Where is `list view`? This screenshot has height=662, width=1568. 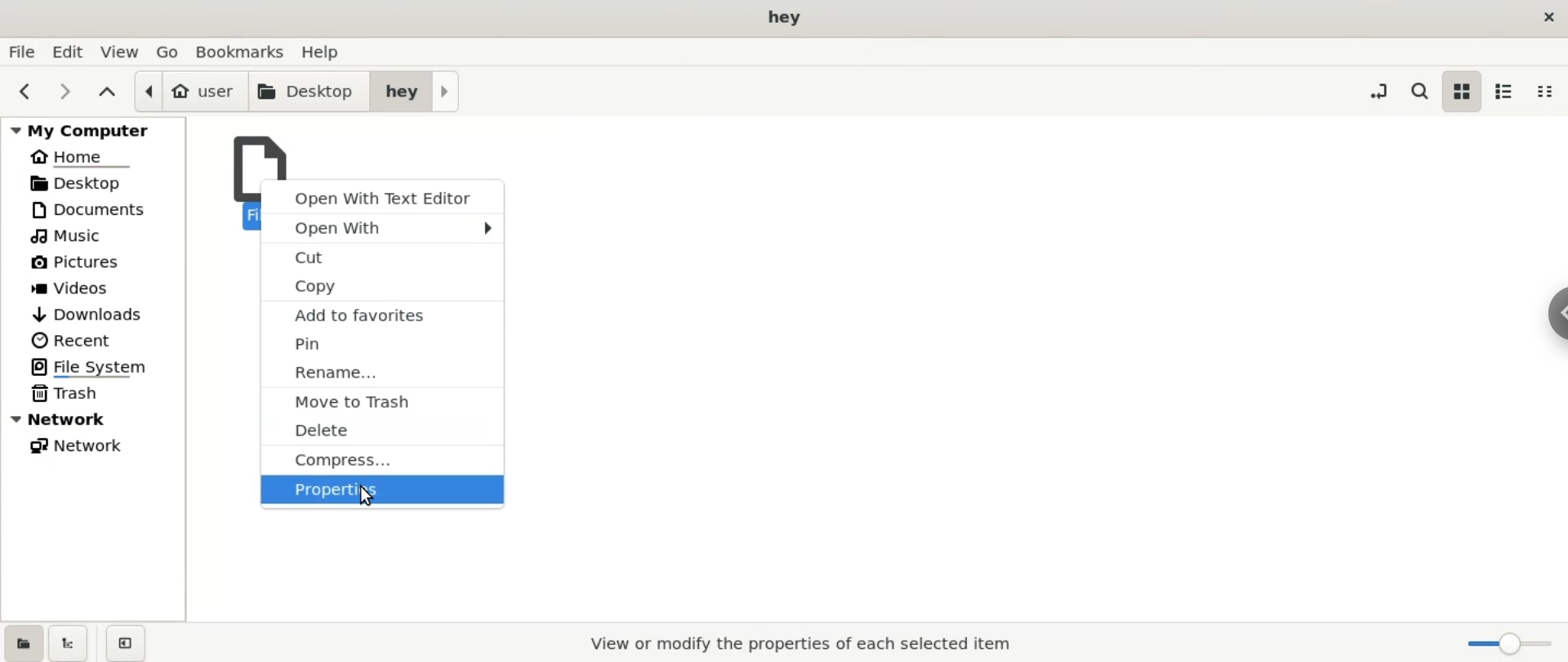 list view is located at coordinates (1508, 92).